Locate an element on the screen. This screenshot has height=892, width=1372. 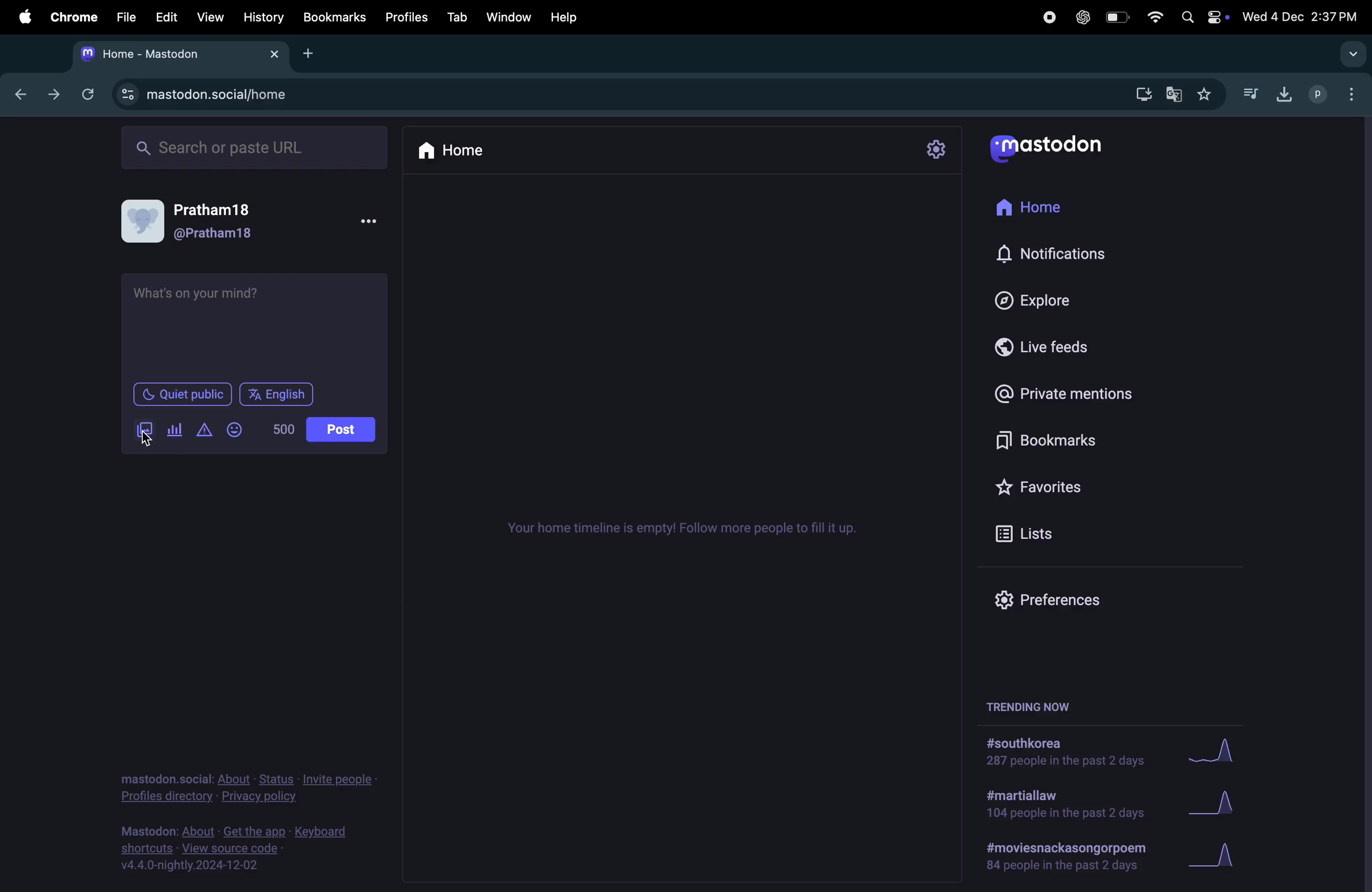
translates is located at coordinates (1175, 95).